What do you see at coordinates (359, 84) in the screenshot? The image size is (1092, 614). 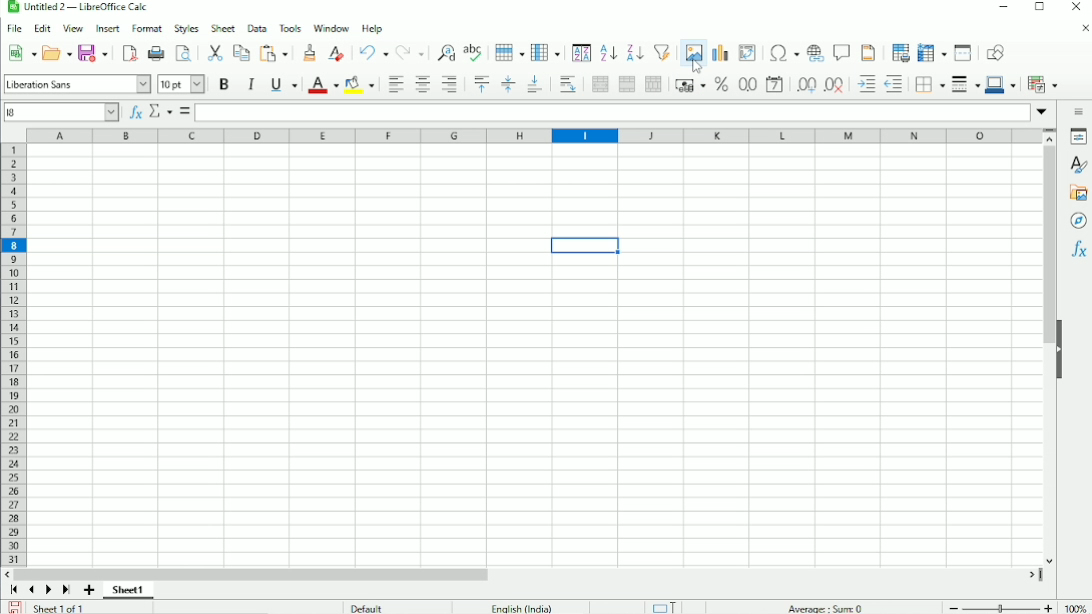 I see `Background color` at bounding box center [359, 84].